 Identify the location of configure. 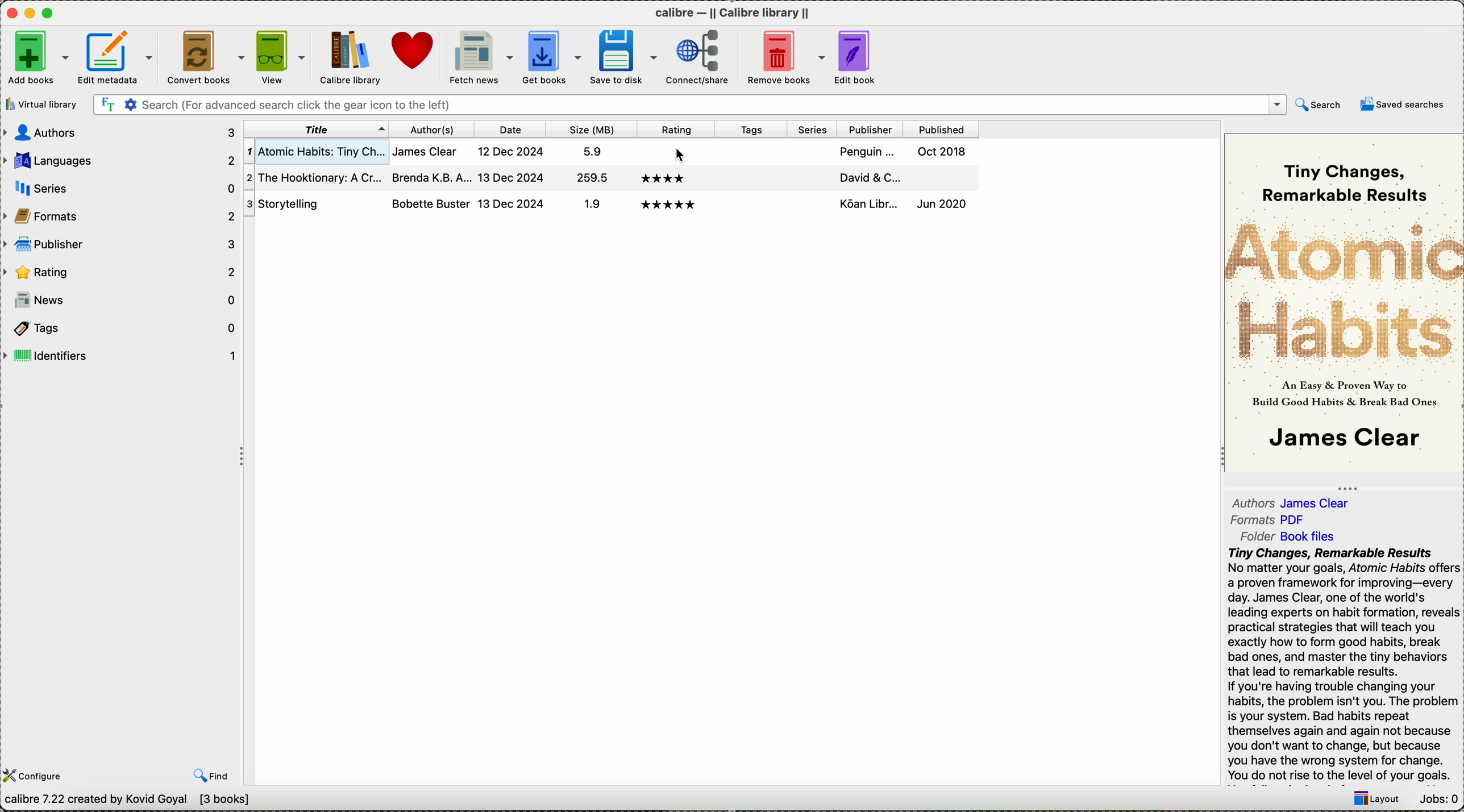
(38, 774).